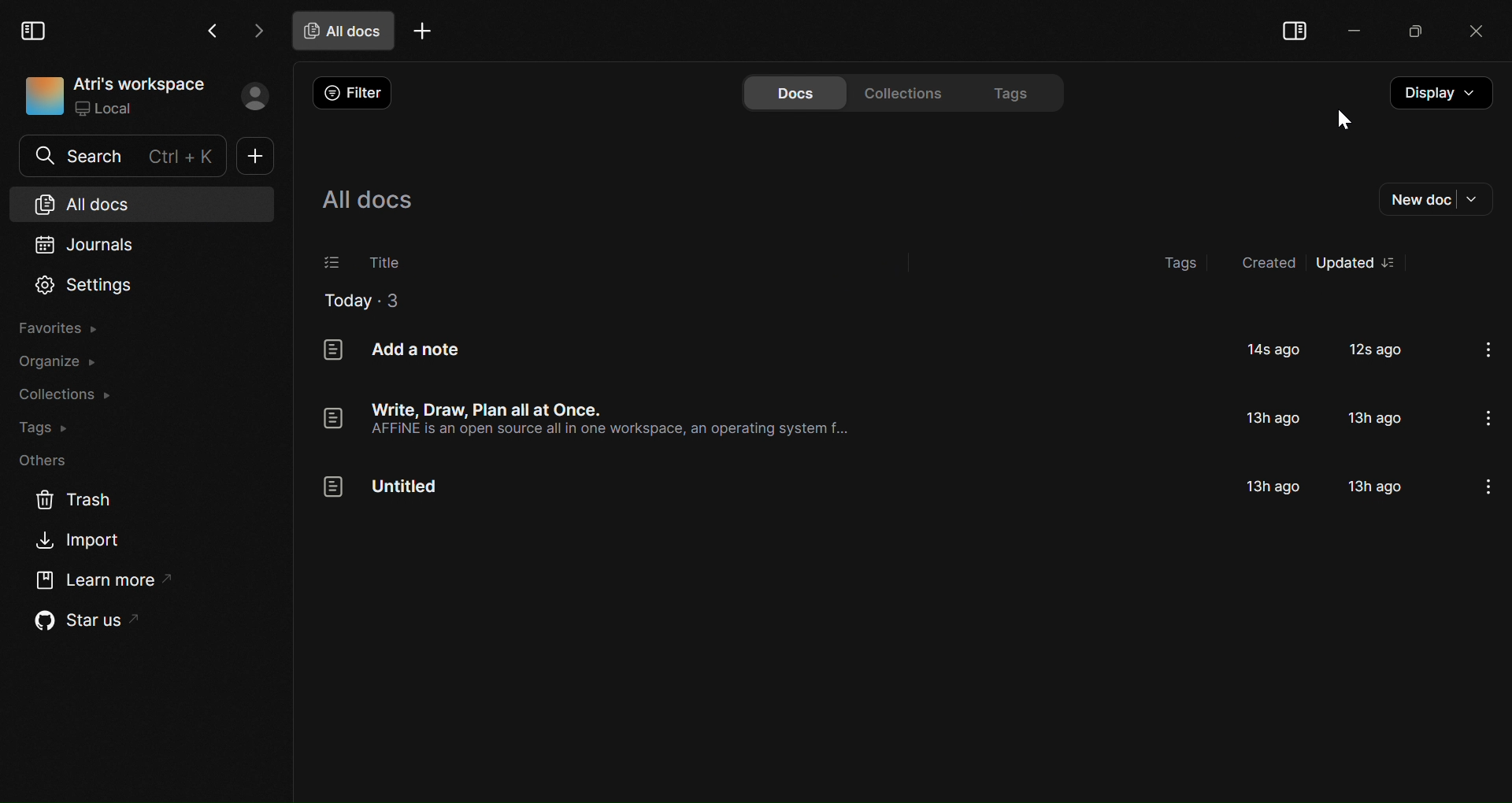 This screenshot has width=1512, height=803. I want to click on Favorites, so click(68, 328).